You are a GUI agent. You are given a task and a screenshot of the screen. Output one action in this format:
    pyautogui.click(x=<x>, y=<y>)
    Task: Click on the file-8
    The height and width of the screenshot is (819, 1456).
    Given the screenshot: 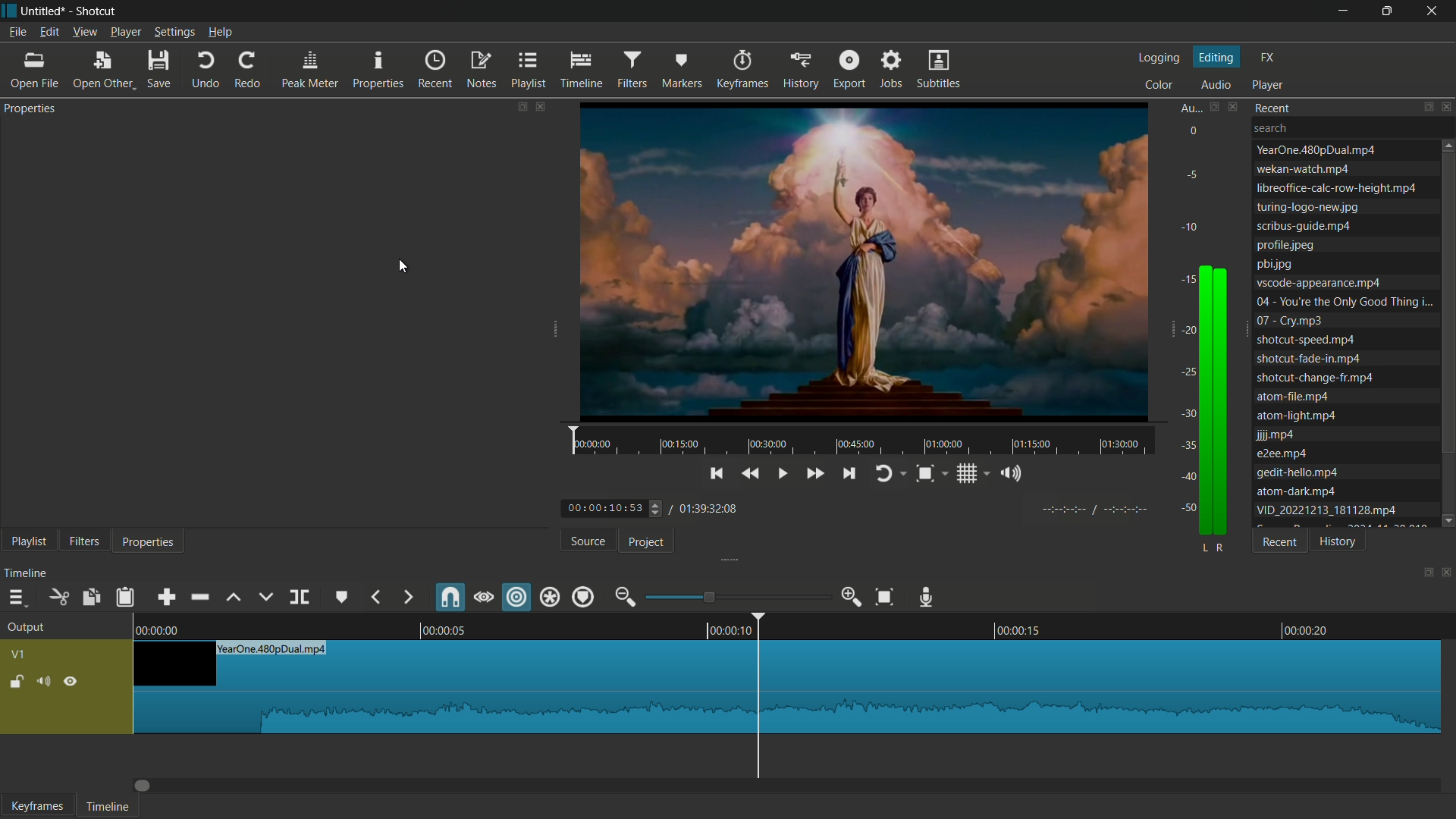 What is the action you would take?
    pyautogui.click(x=1318, y=284)
    